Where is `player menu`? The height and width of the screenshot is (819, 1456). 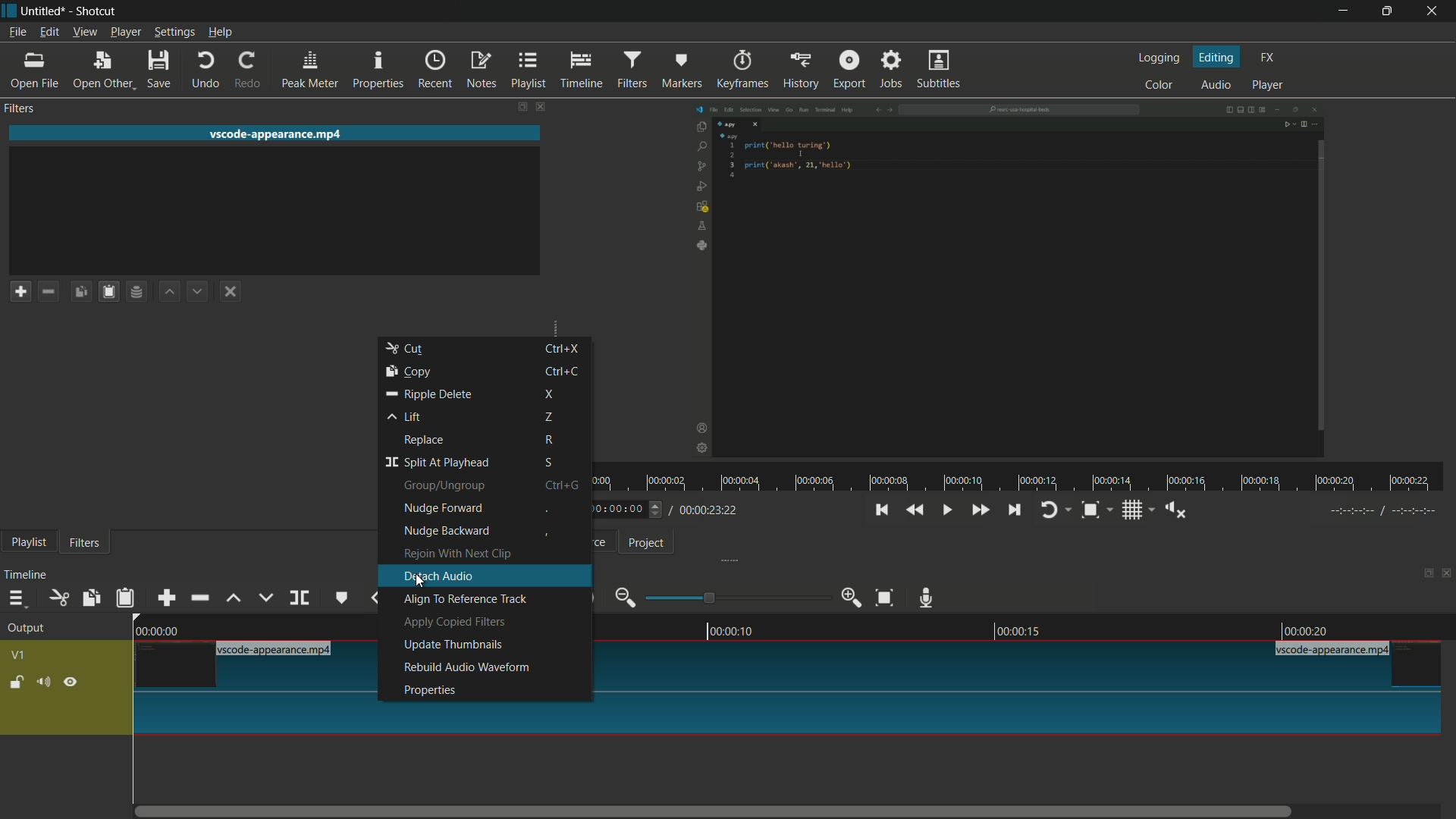
player menu is located at coordinates (126, 33).